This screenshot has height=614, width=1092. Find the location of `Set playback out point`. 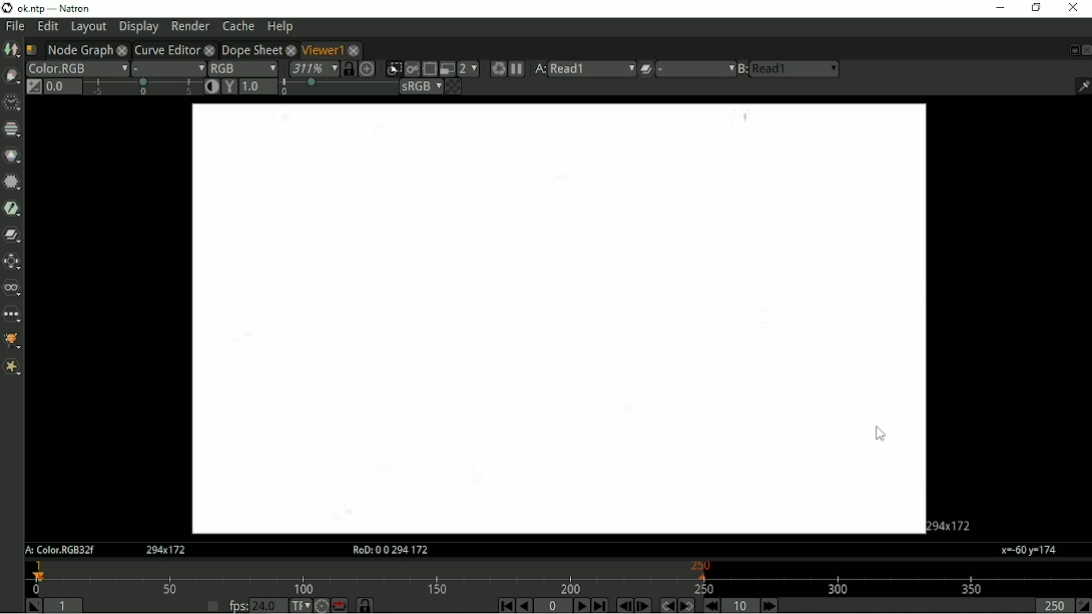

Set playback out point is located at coordinates (1083, 605).